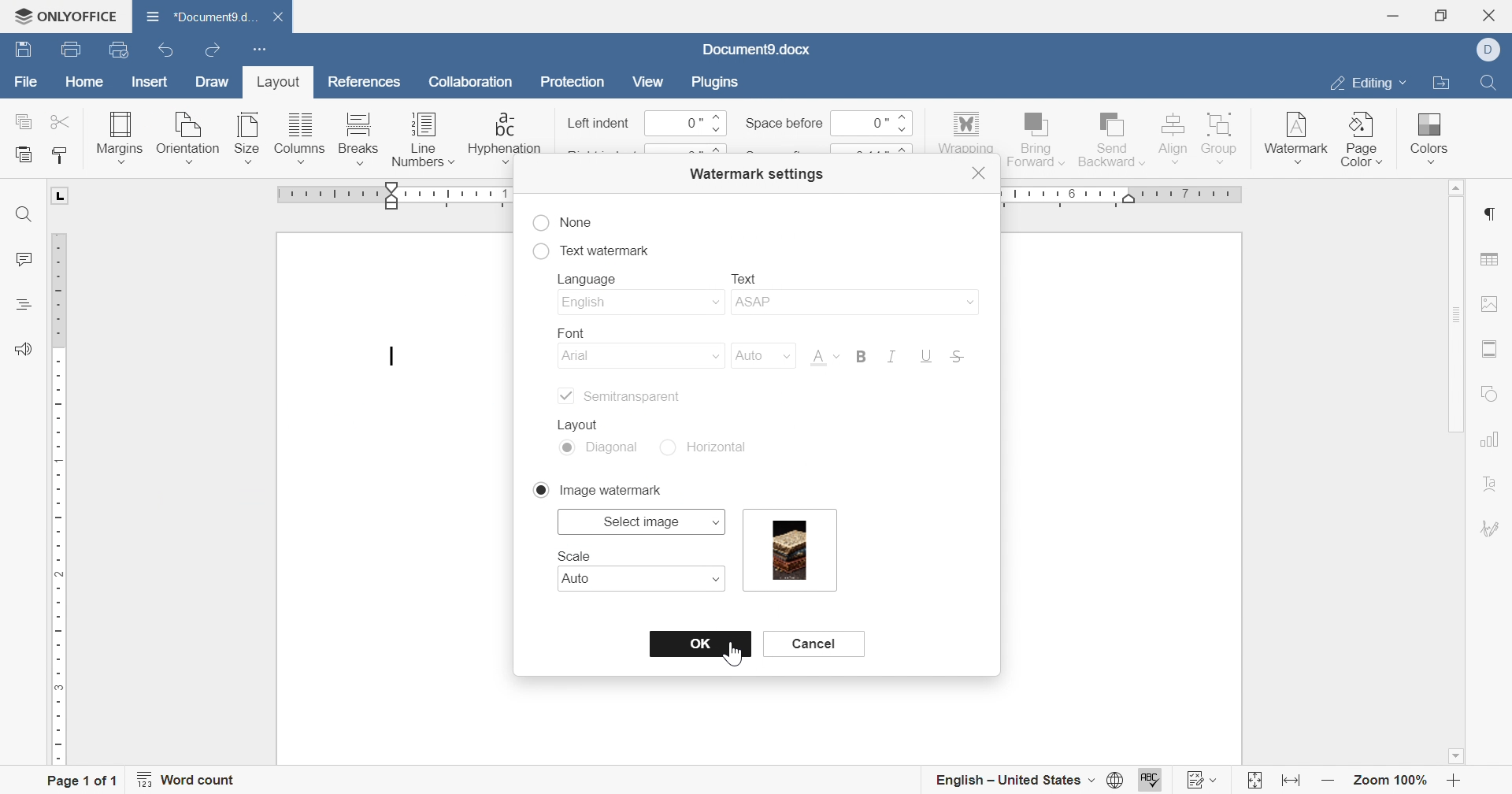 Image resolution: width=1512 pixels, height=794 pixels. I want to click on line numbers, so click(423, 143).